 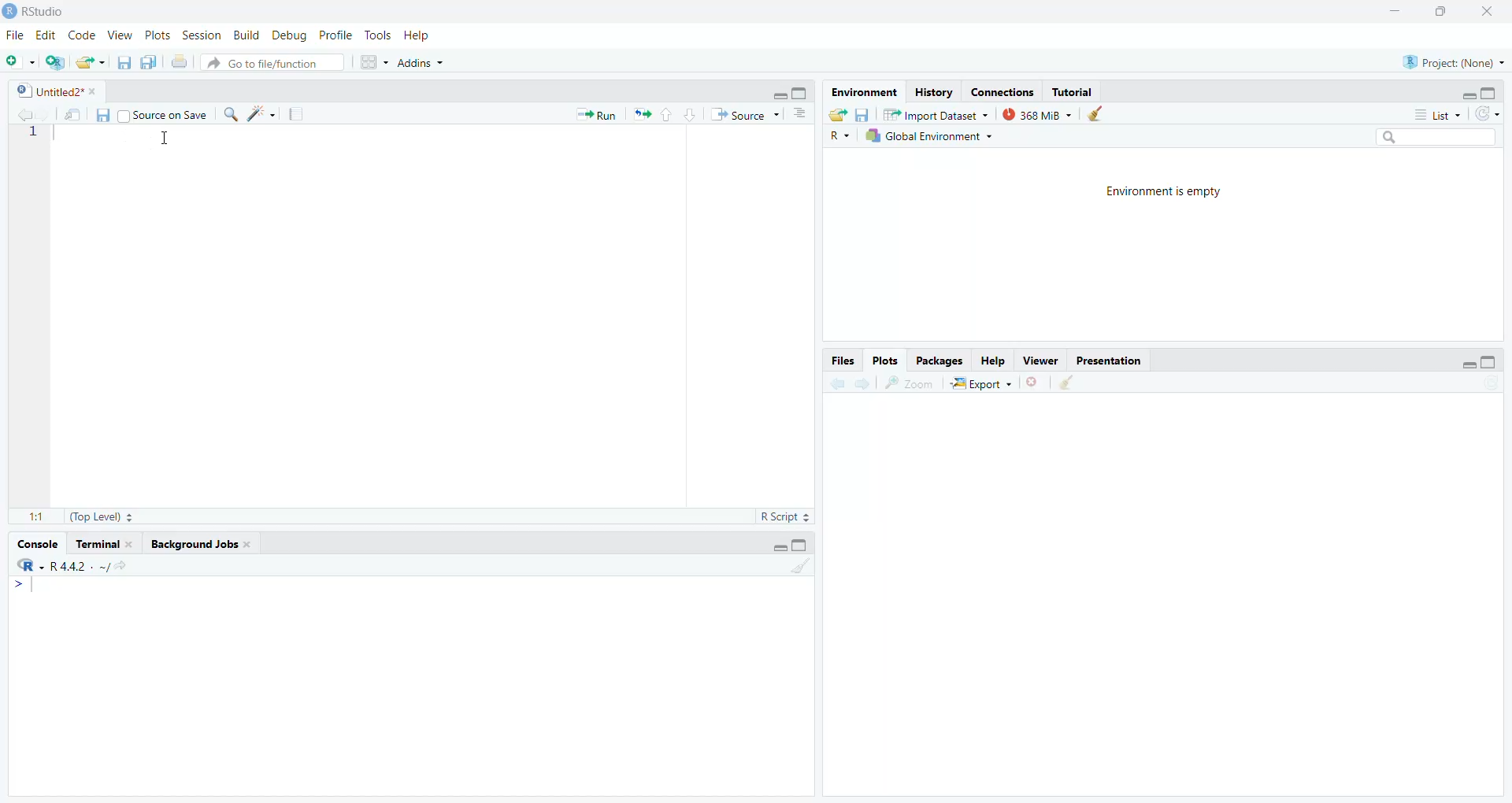 What do you see at coordinates (378, 35) in the screenshot?
I see `Tools` at bounding box center [378, 35].